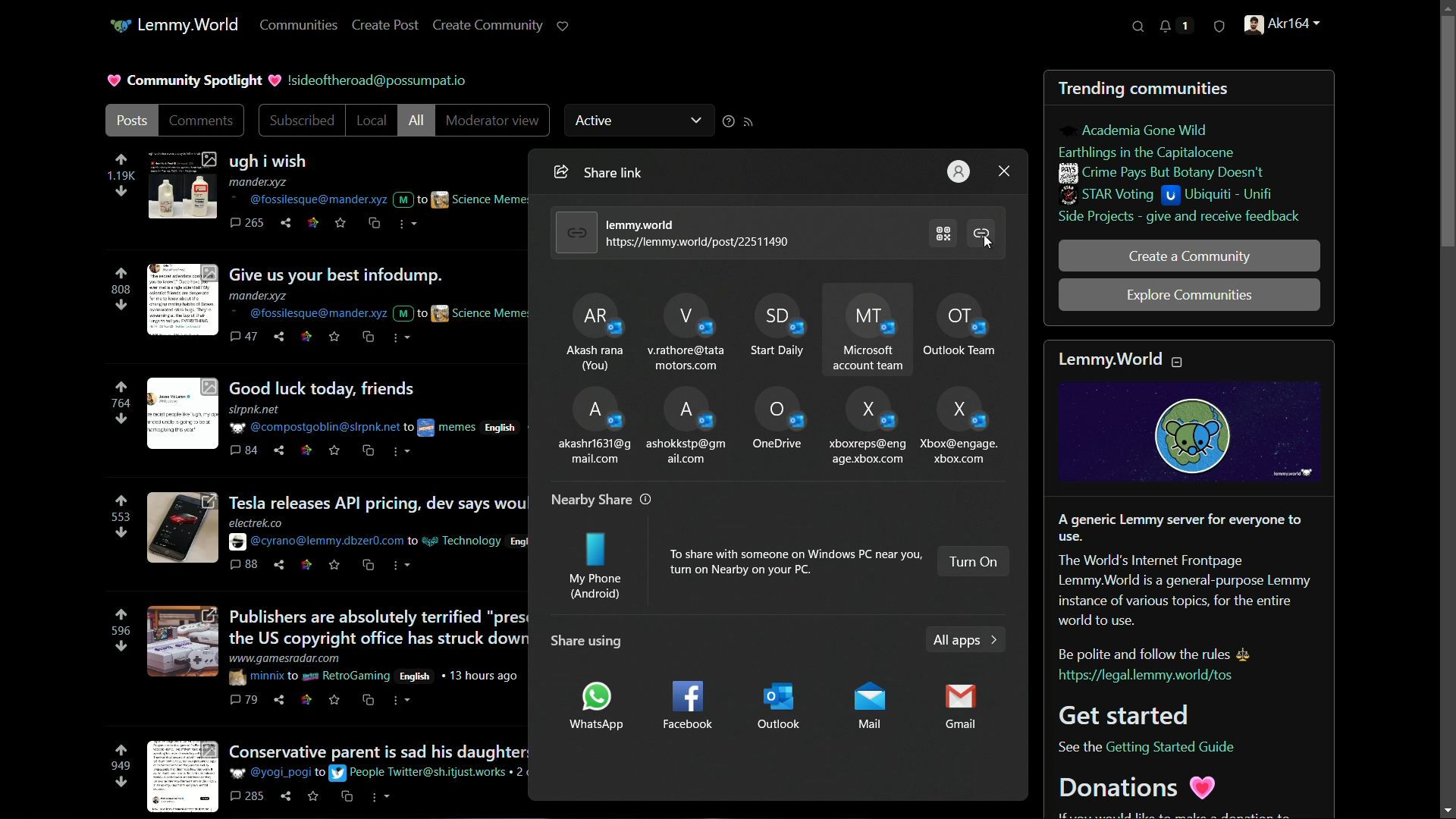 The height and width of the screenshot is (819, 1456). I want to click on cross psot, so click(371, 701).